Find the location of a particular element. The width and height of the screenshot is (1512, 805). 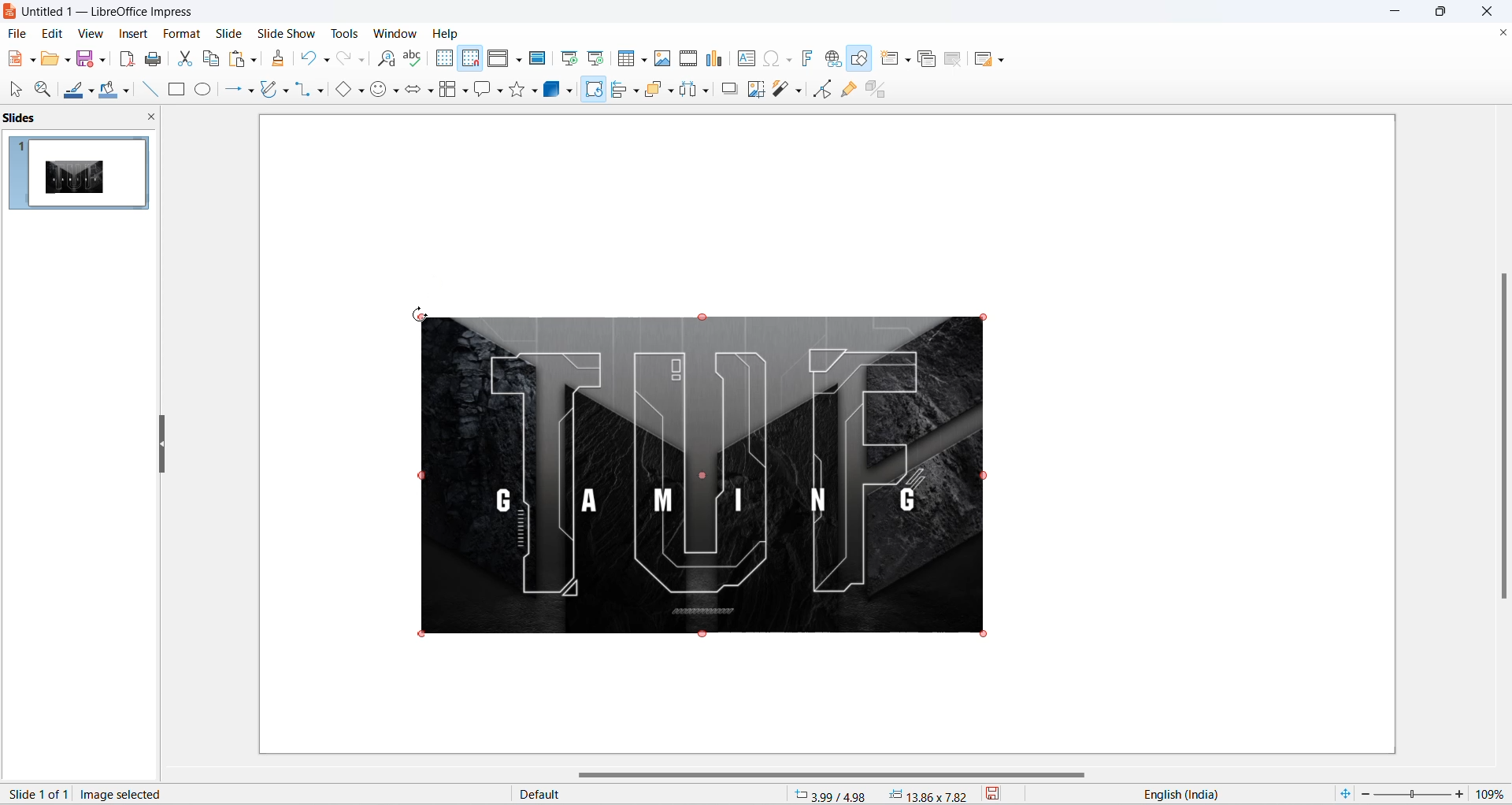

open file options is located at coordinates (68, 62).